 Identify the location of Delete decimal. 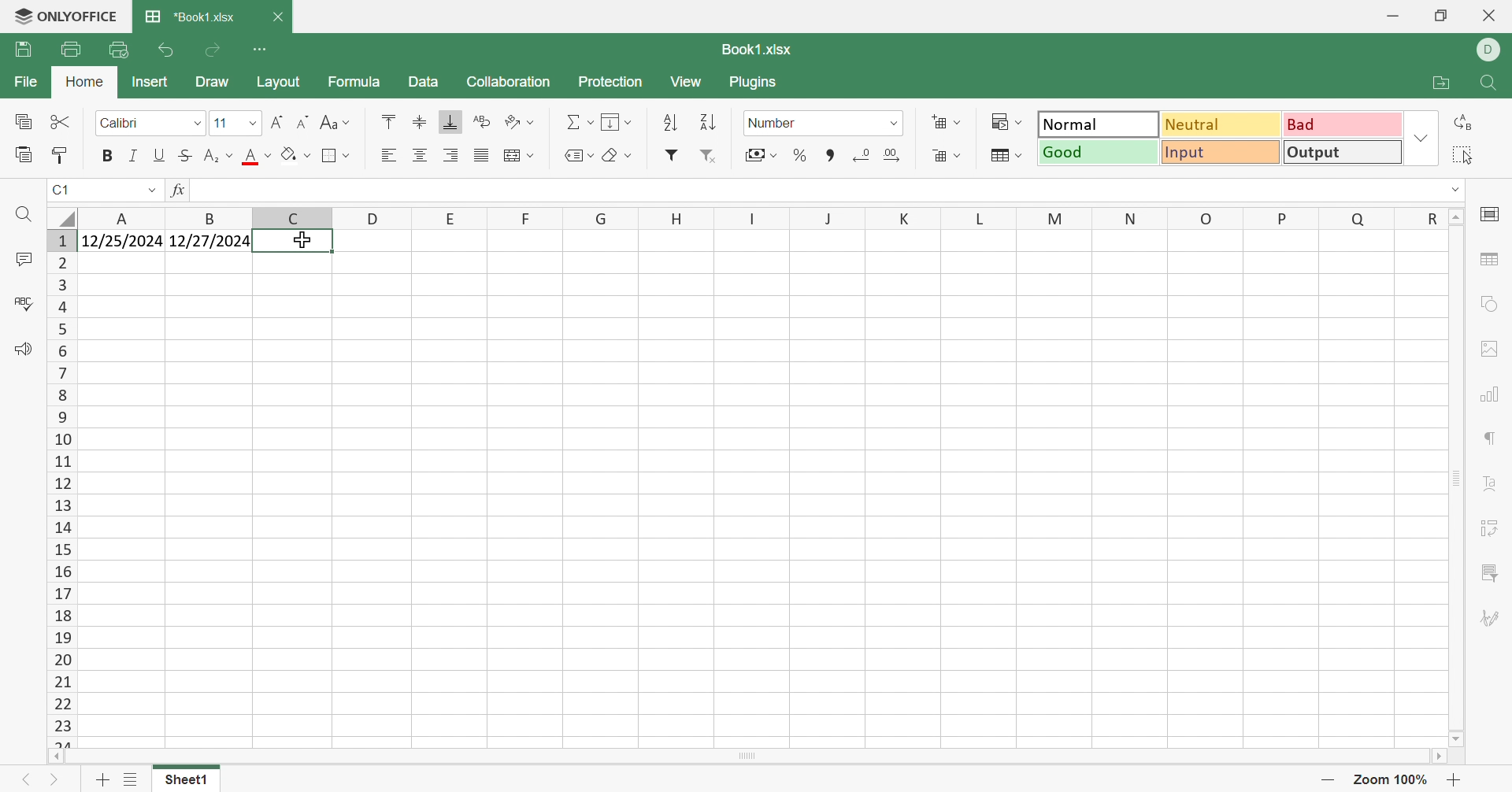
(862, 153).